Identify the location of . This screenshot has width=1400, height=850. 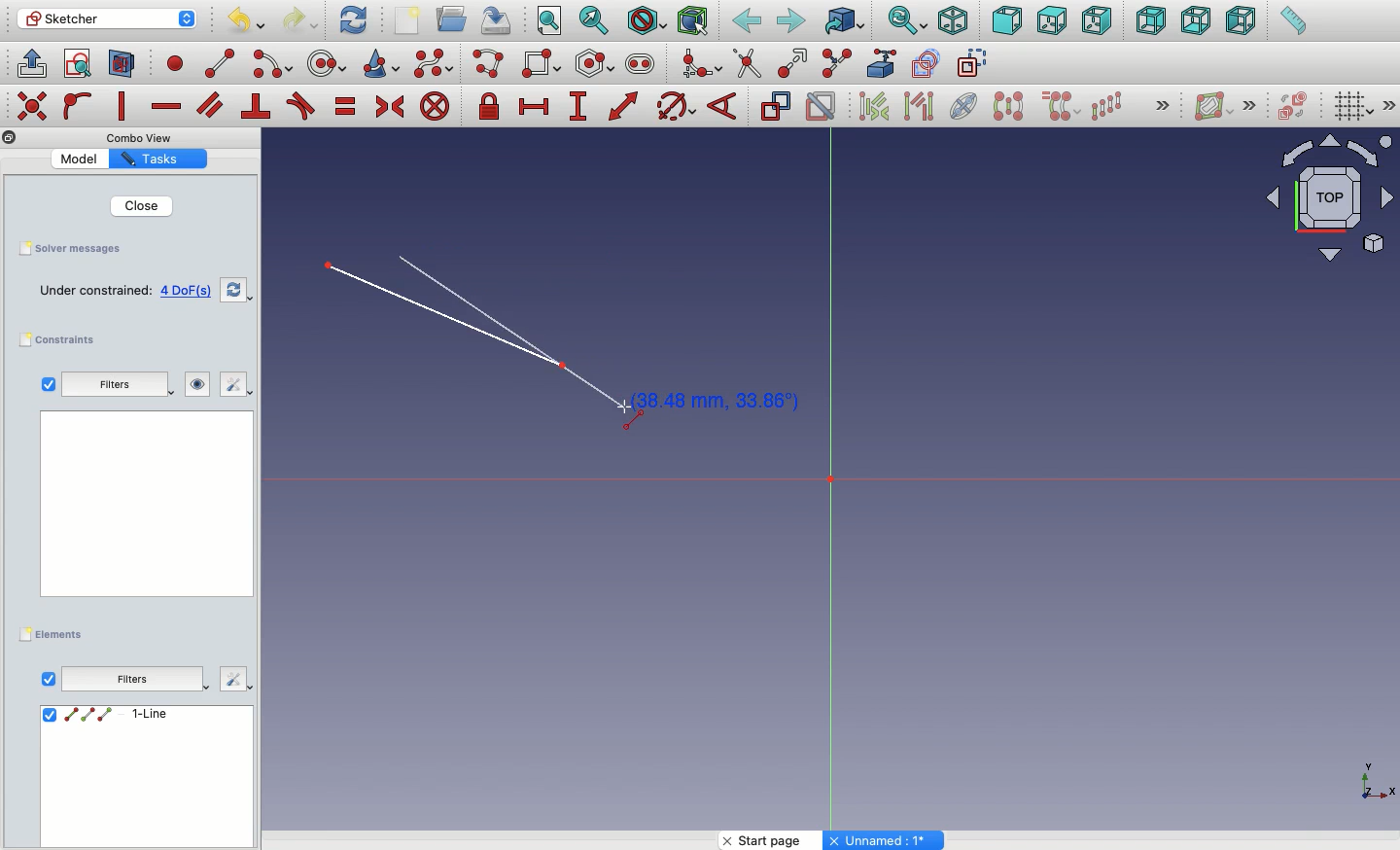
(9, 138).